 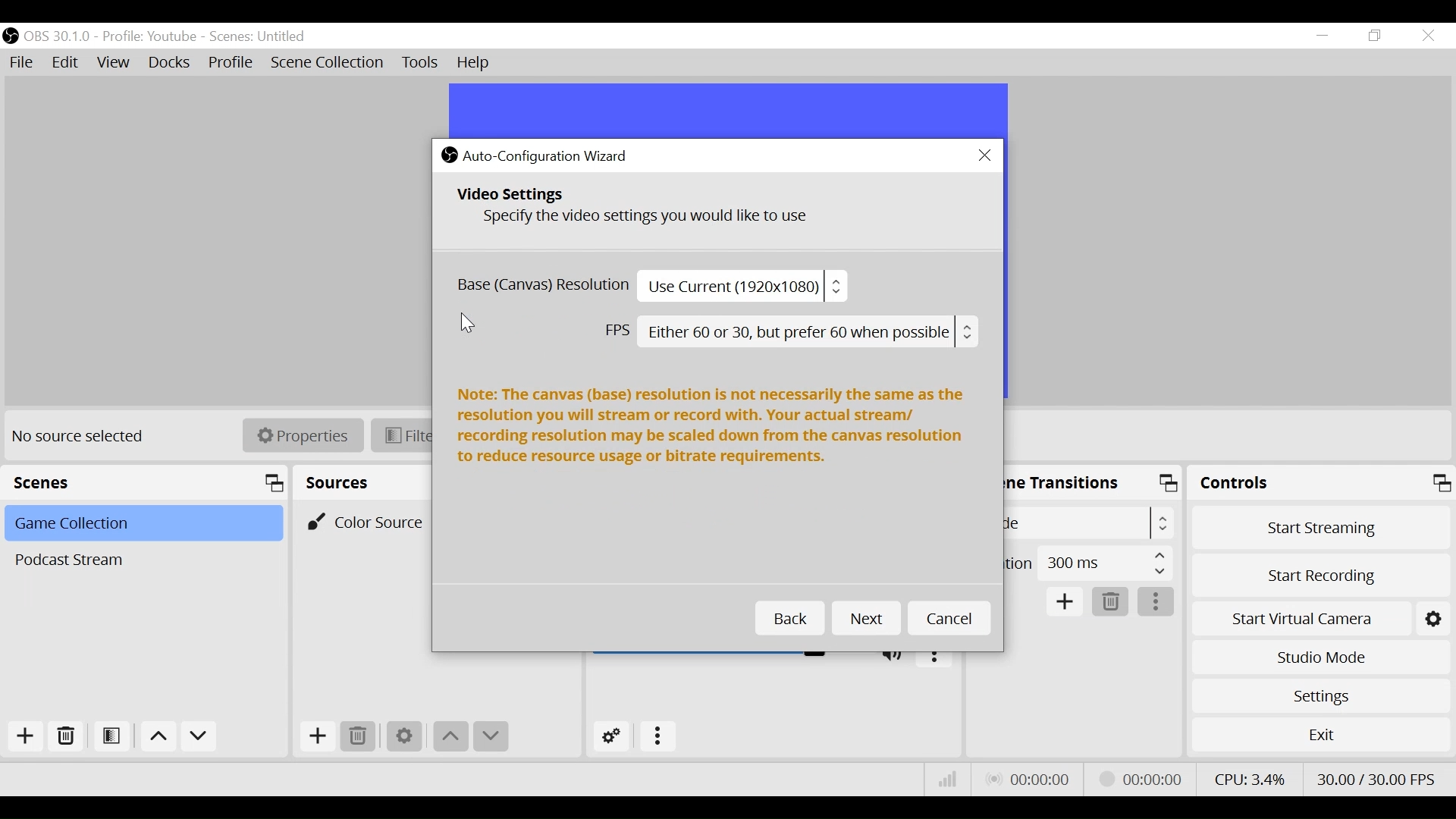 What do you see at coordinates (789, 333) in the screenshot?
I see `Frame Per Second` at bounding box center [789, 333].